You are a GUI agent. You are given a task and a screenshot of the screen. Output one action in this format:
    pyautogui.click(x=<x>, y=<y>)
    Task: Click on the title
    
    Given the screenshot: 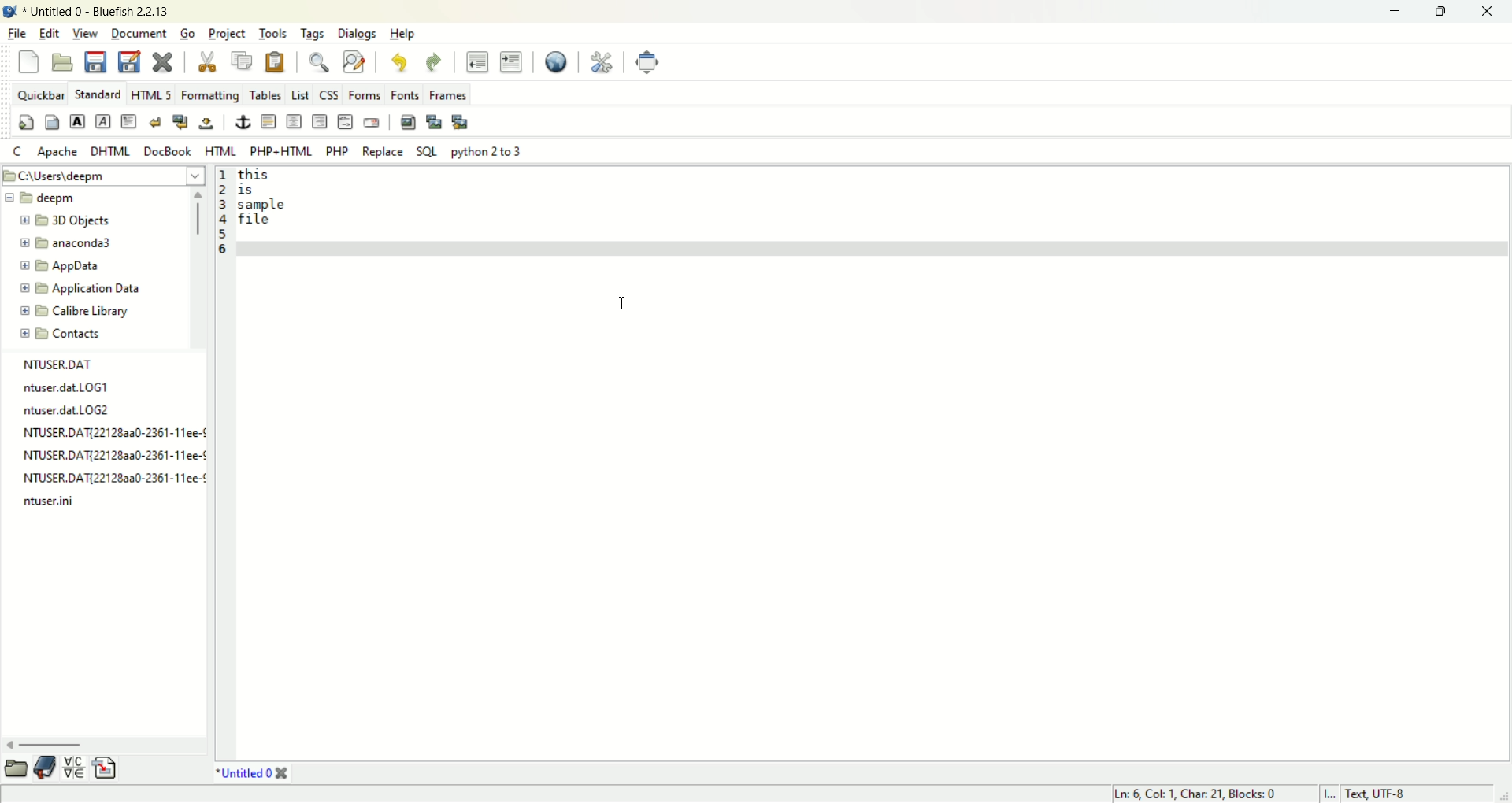 What is the action you would take?
    pyautogui.click(x=98, y=10)
    